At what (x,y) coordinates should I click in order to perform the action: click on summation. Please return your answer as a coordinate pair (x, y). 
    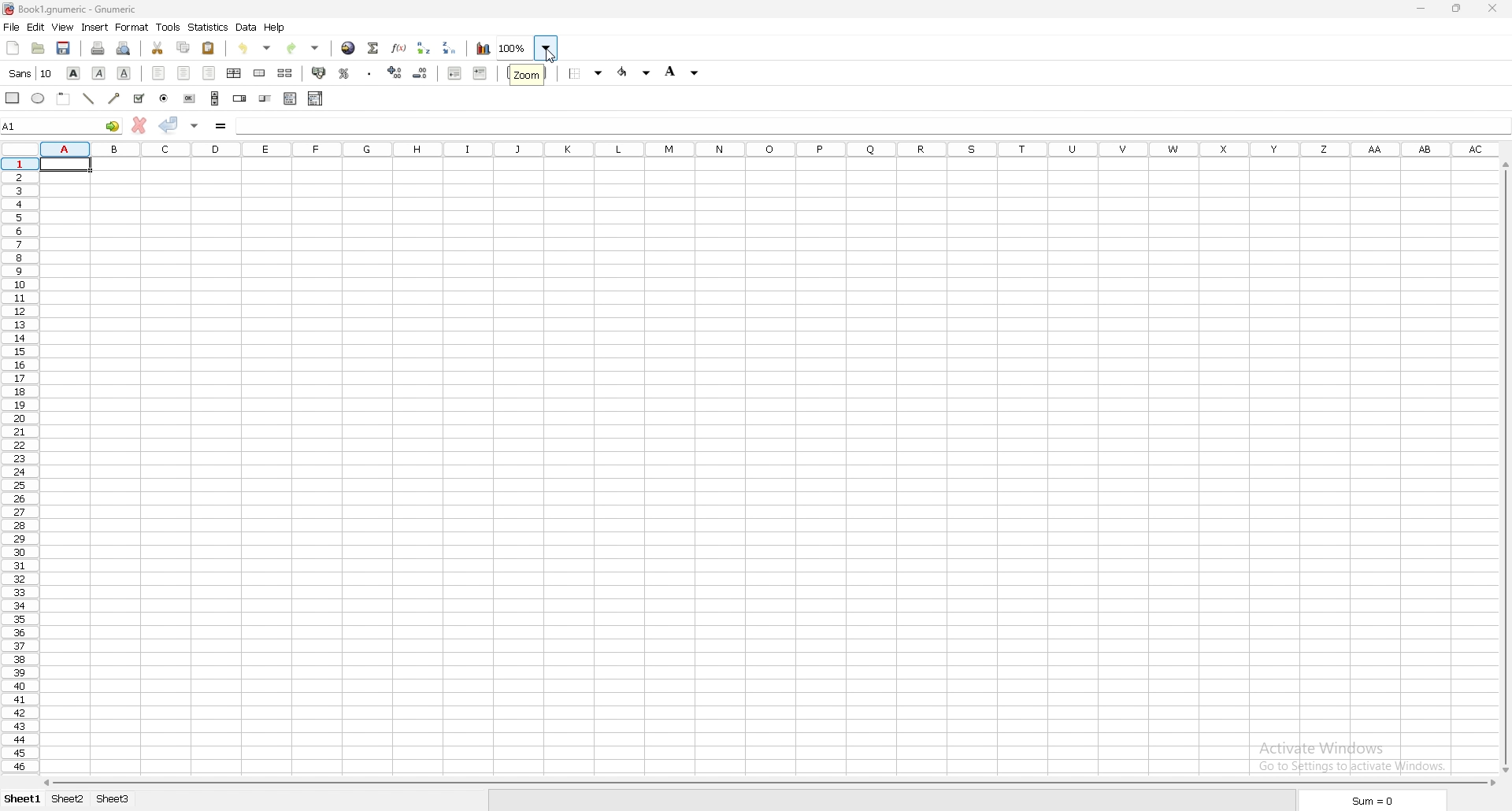
    Looking at the image, I should click on (373, 47).